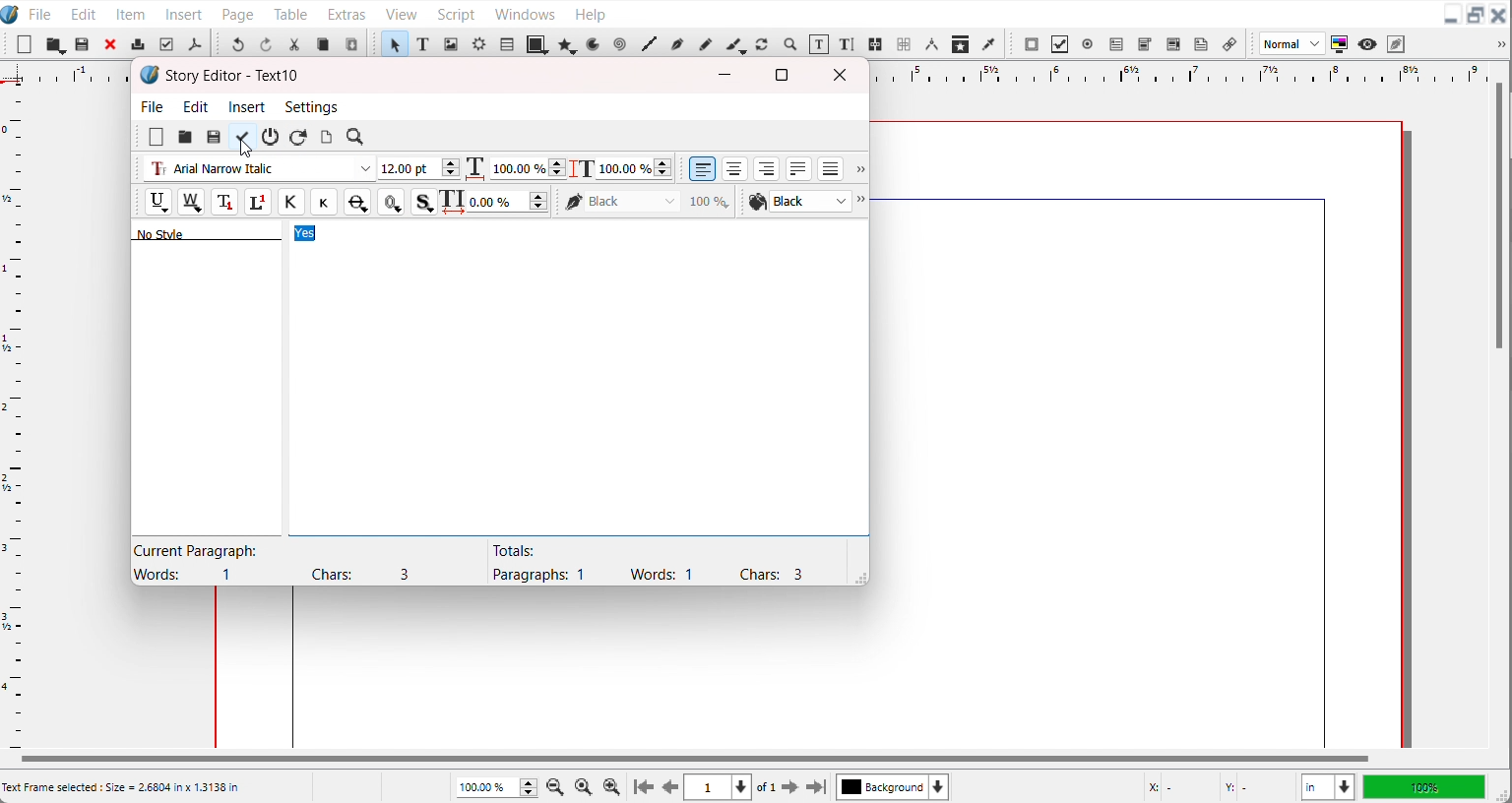 The image size is (1512, 803). I want to click on Freehand line, so click(704, 43).